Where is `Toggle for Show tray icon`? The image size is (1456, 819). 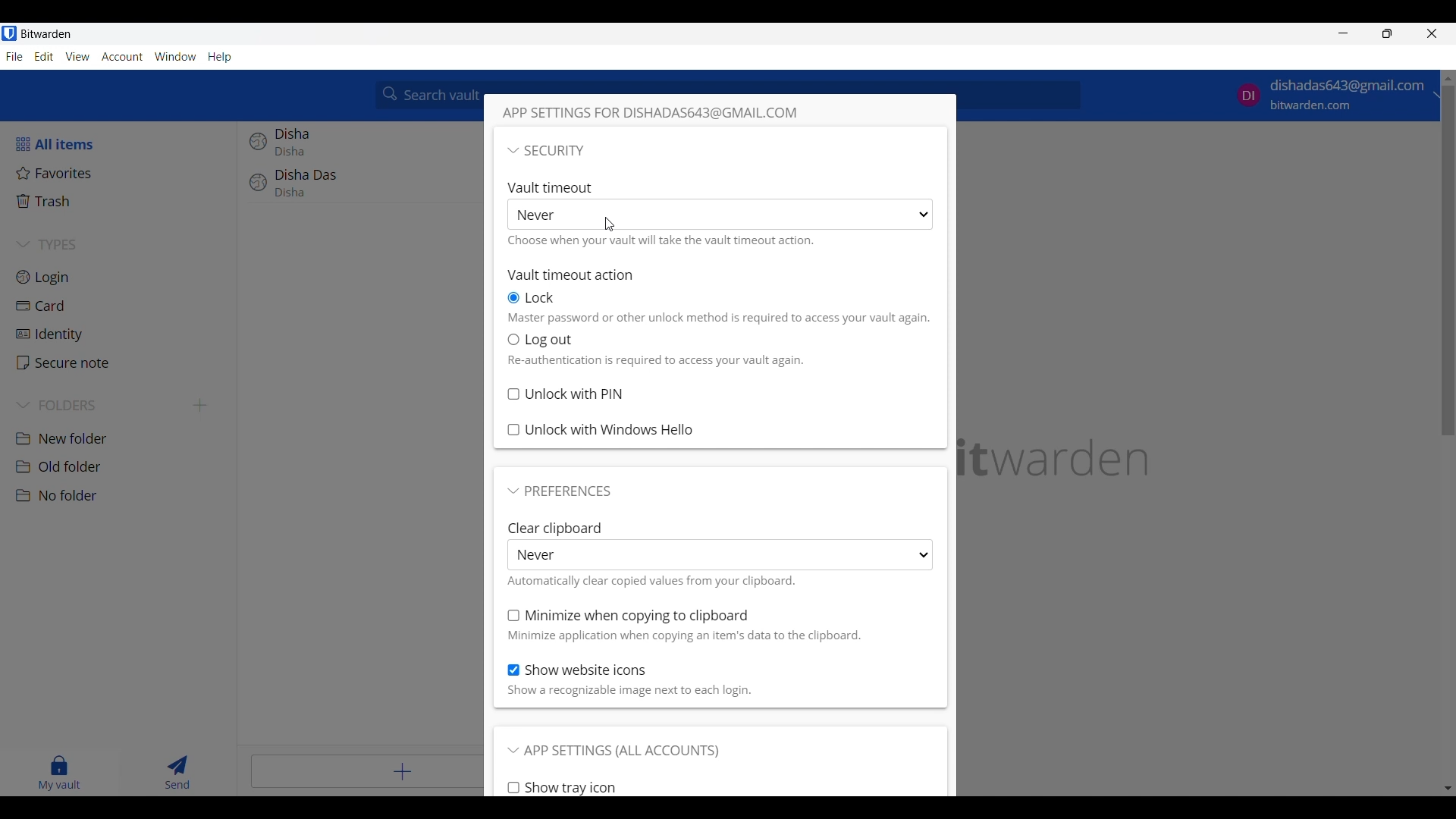 Toggle for Show tray icon is located at coordinates (562, 788).